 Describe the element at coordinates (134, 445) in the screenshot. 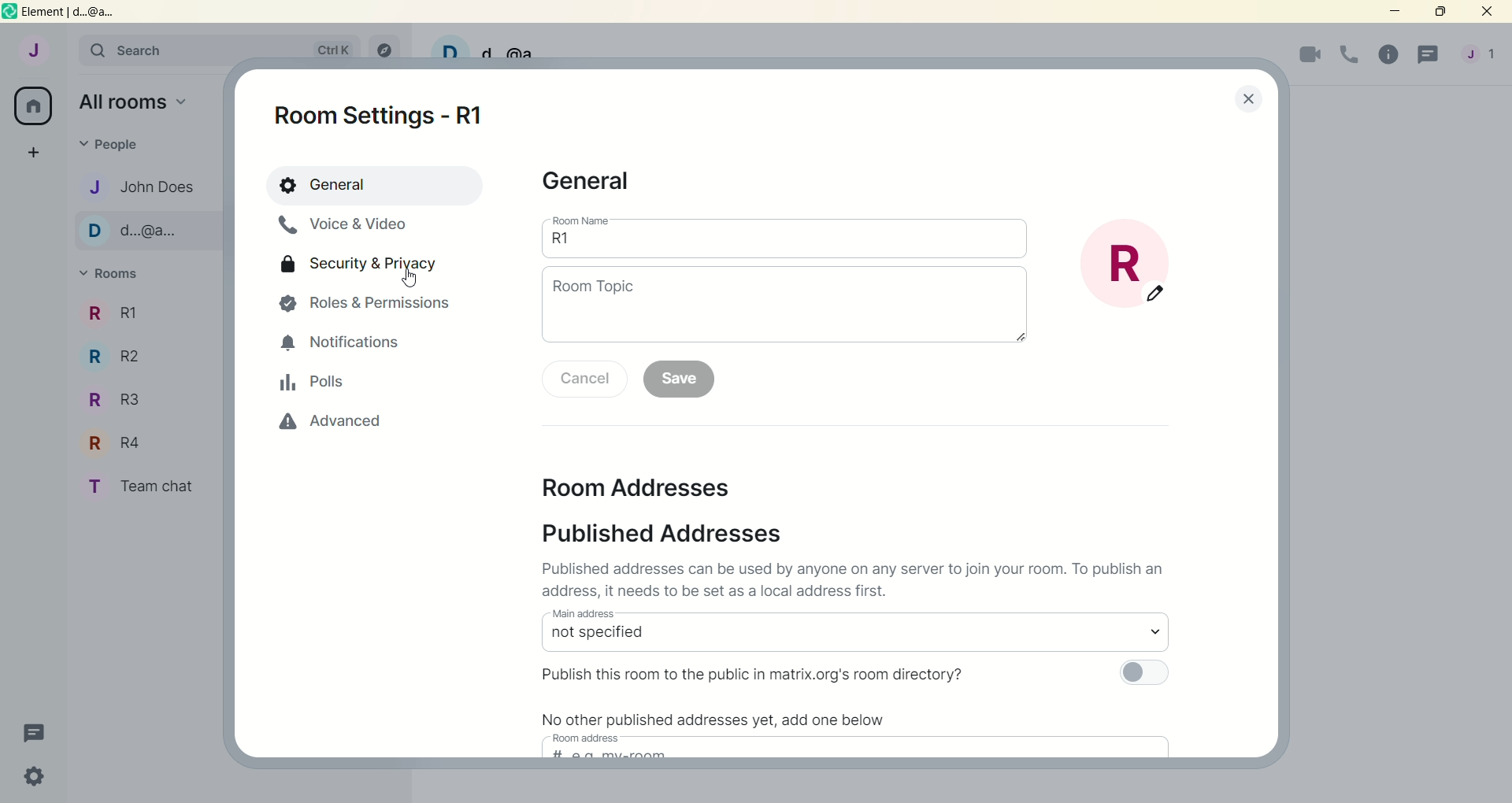

I see `R R4` at that location.